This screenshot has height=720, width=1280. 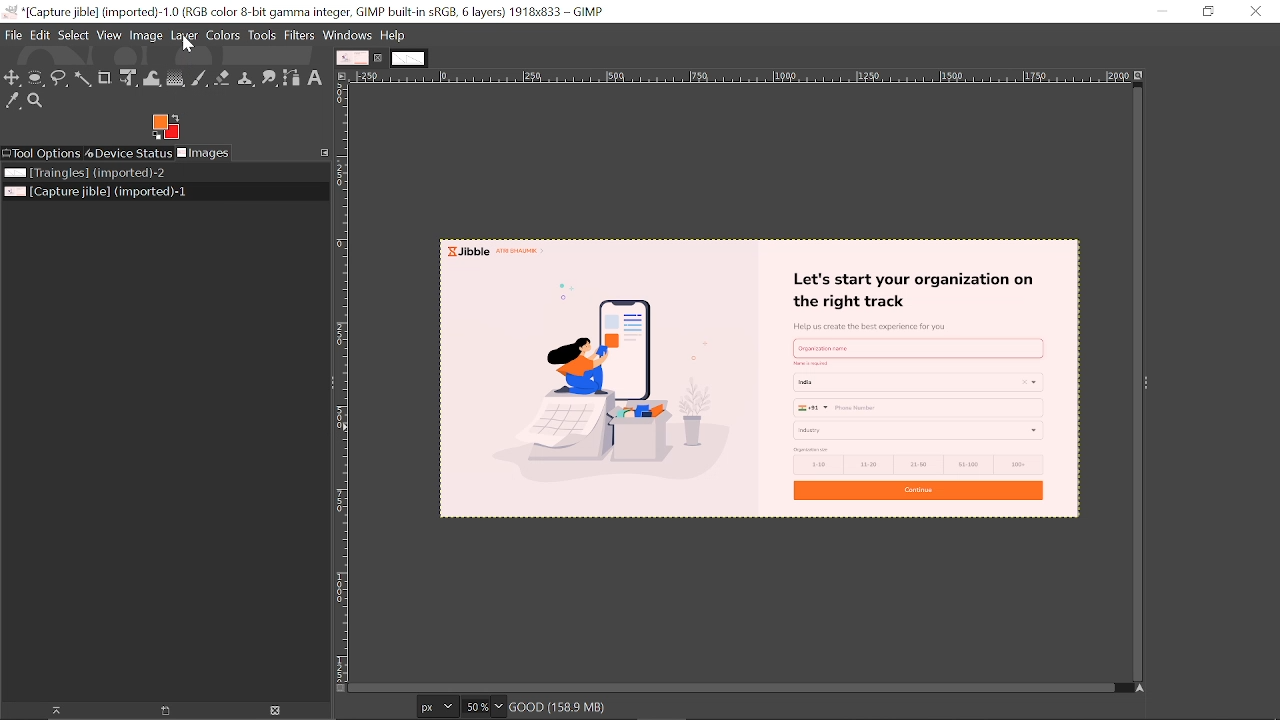 I want to click on Wrap text tool, so click(x=152, y=78).